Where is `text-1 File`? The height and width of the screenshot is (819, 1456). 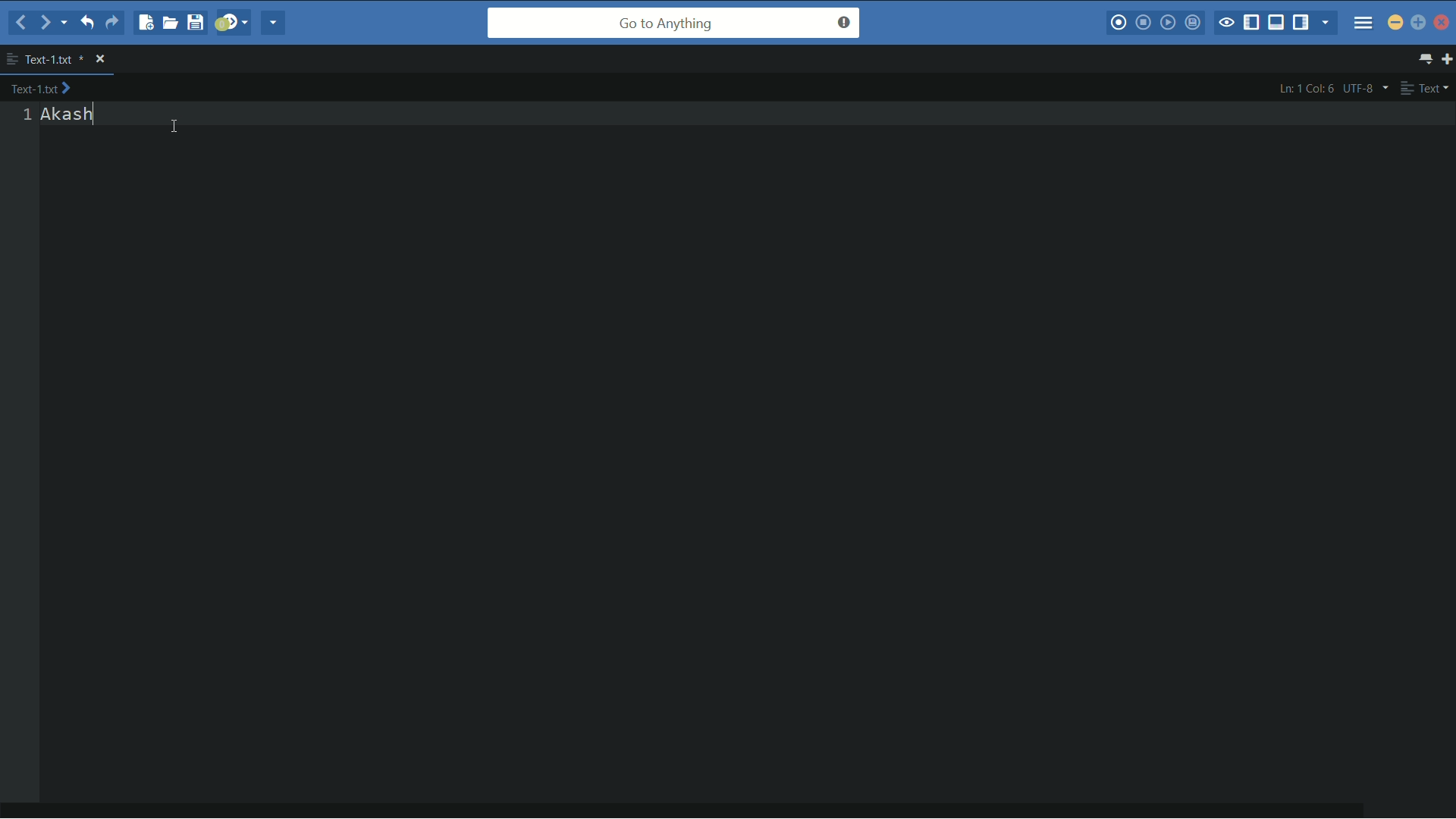 text-1 File is located at coordinates (40, 87).